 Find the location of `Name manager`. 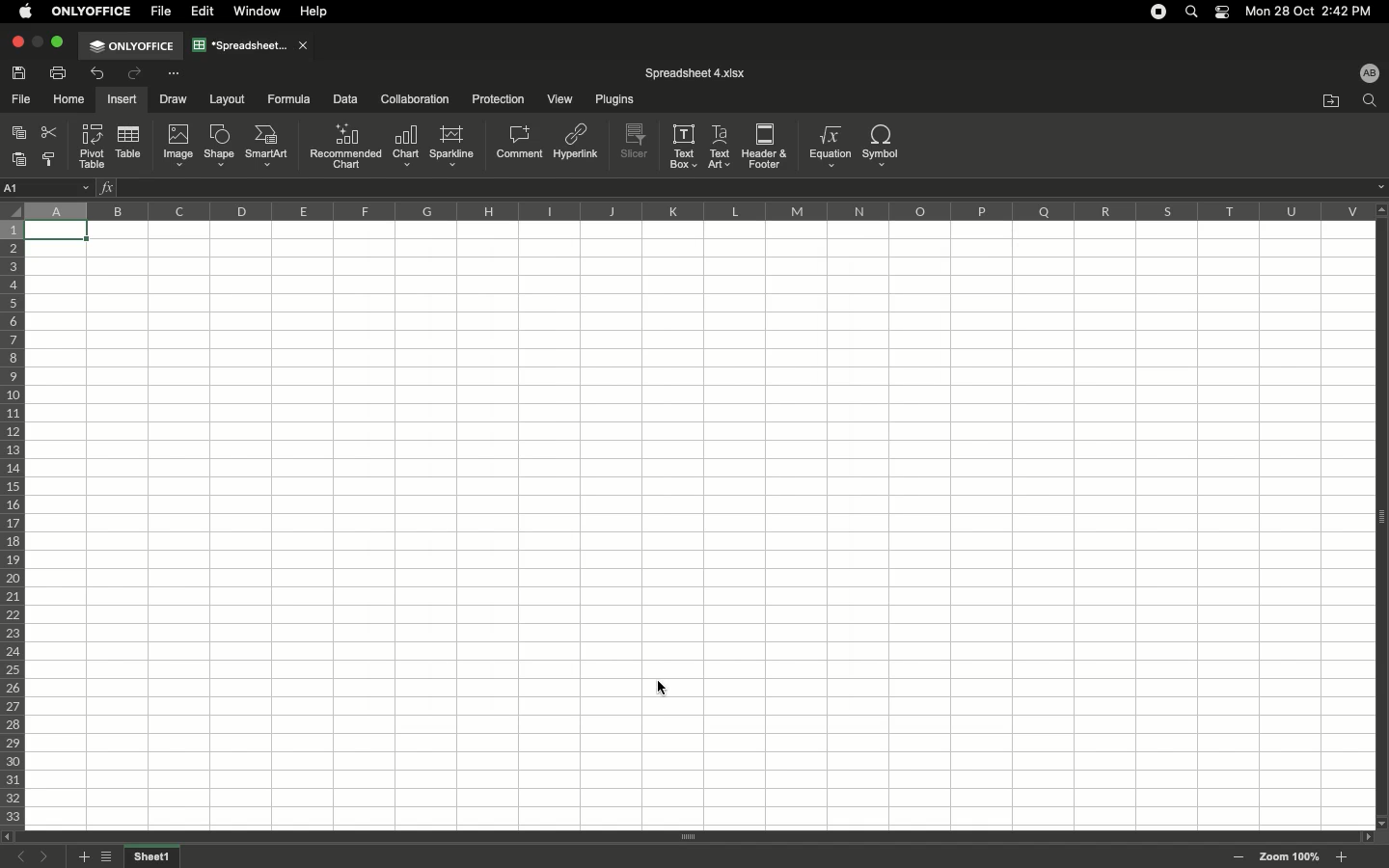

Name manager is located at coordinates (48, 186).